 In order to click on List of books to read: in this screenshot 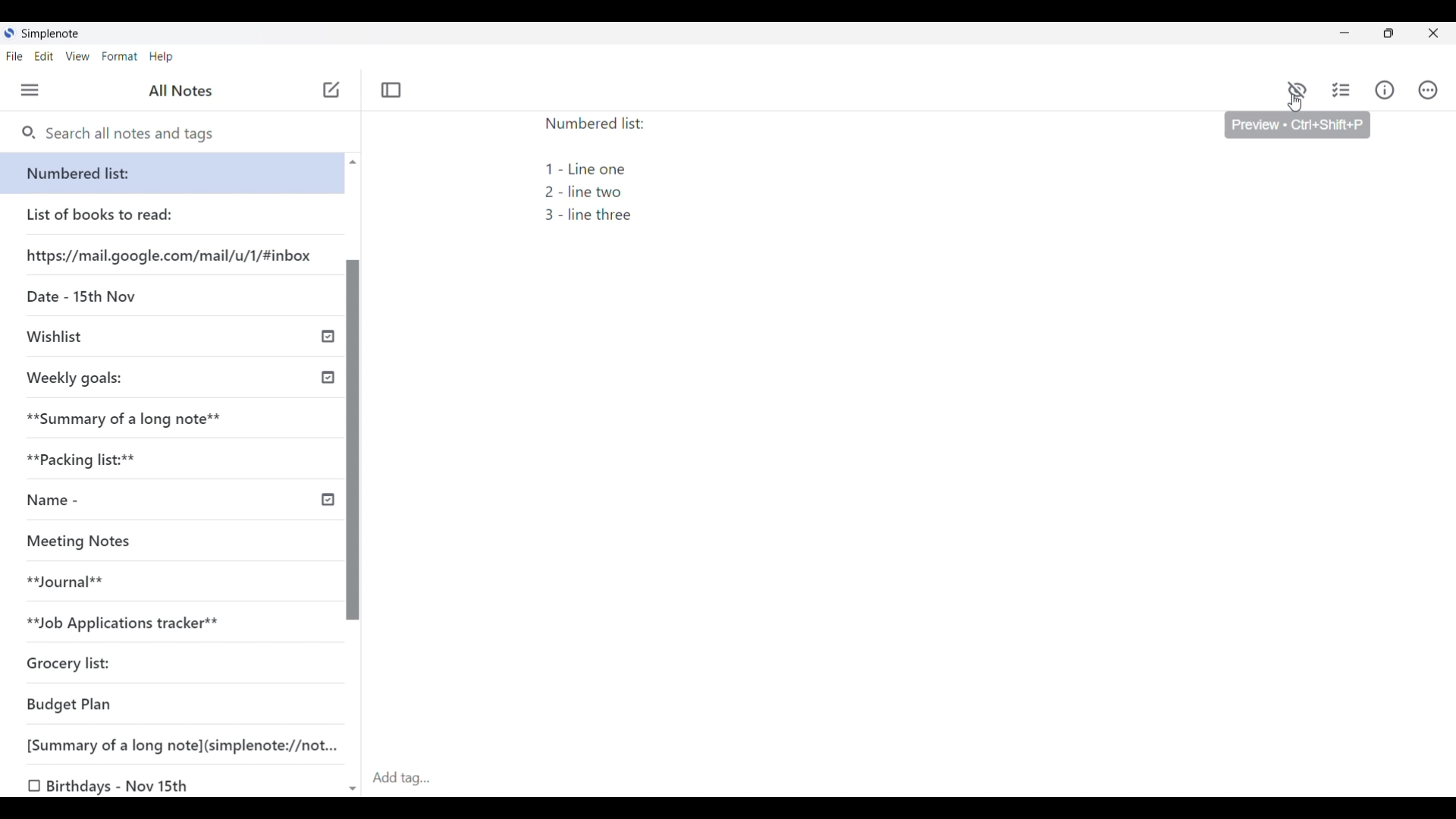, I will do `click(115, 215)`.